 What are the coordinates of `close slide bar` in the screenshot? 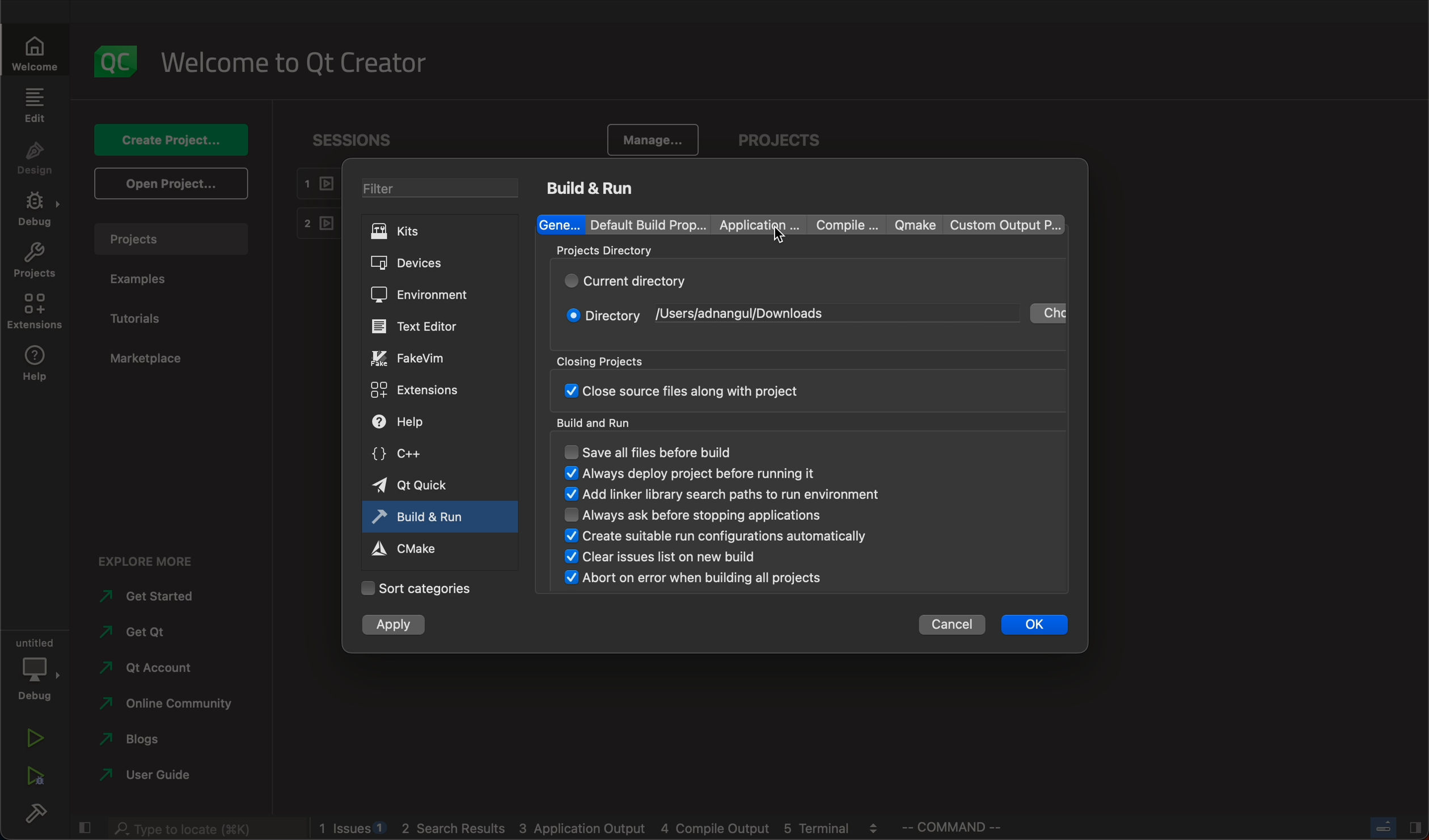 It's located at (1394, 826).